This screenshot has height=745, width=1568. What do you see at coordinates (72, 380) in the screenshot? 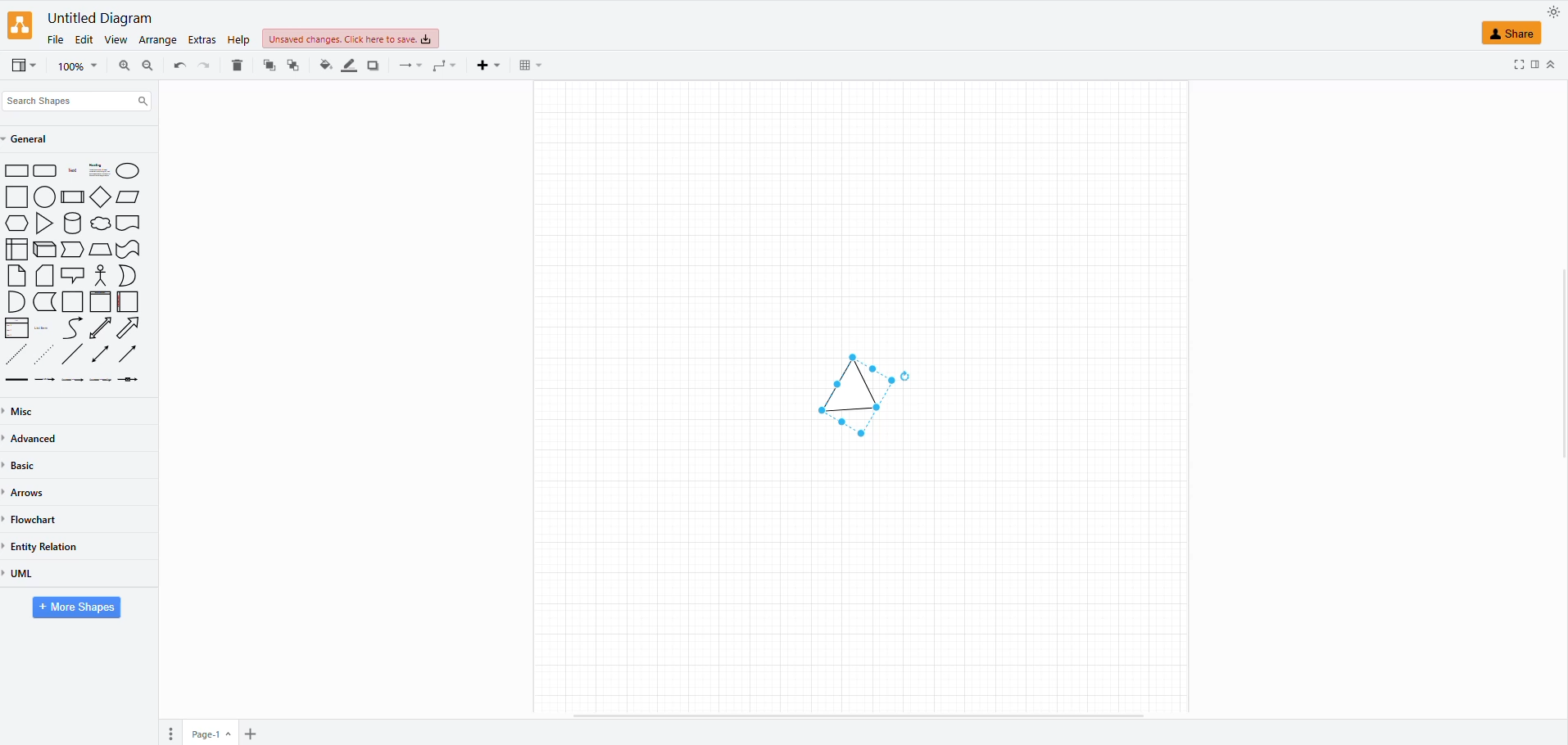
I see `Labelled Arrow` at bounding box center [72, 380].